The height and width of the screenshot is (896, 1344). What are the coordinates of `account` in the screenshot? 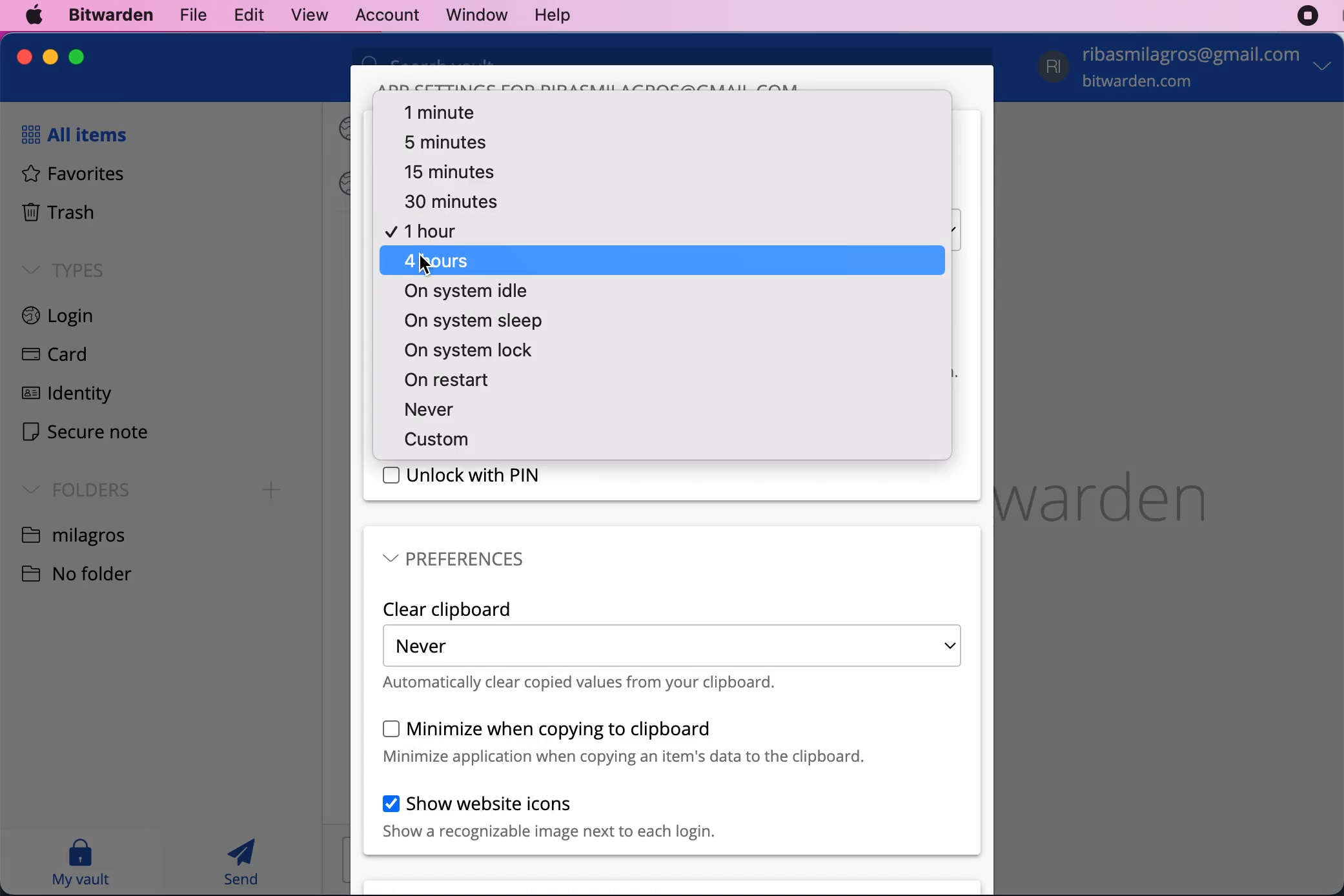 It's located at (1188, 69).